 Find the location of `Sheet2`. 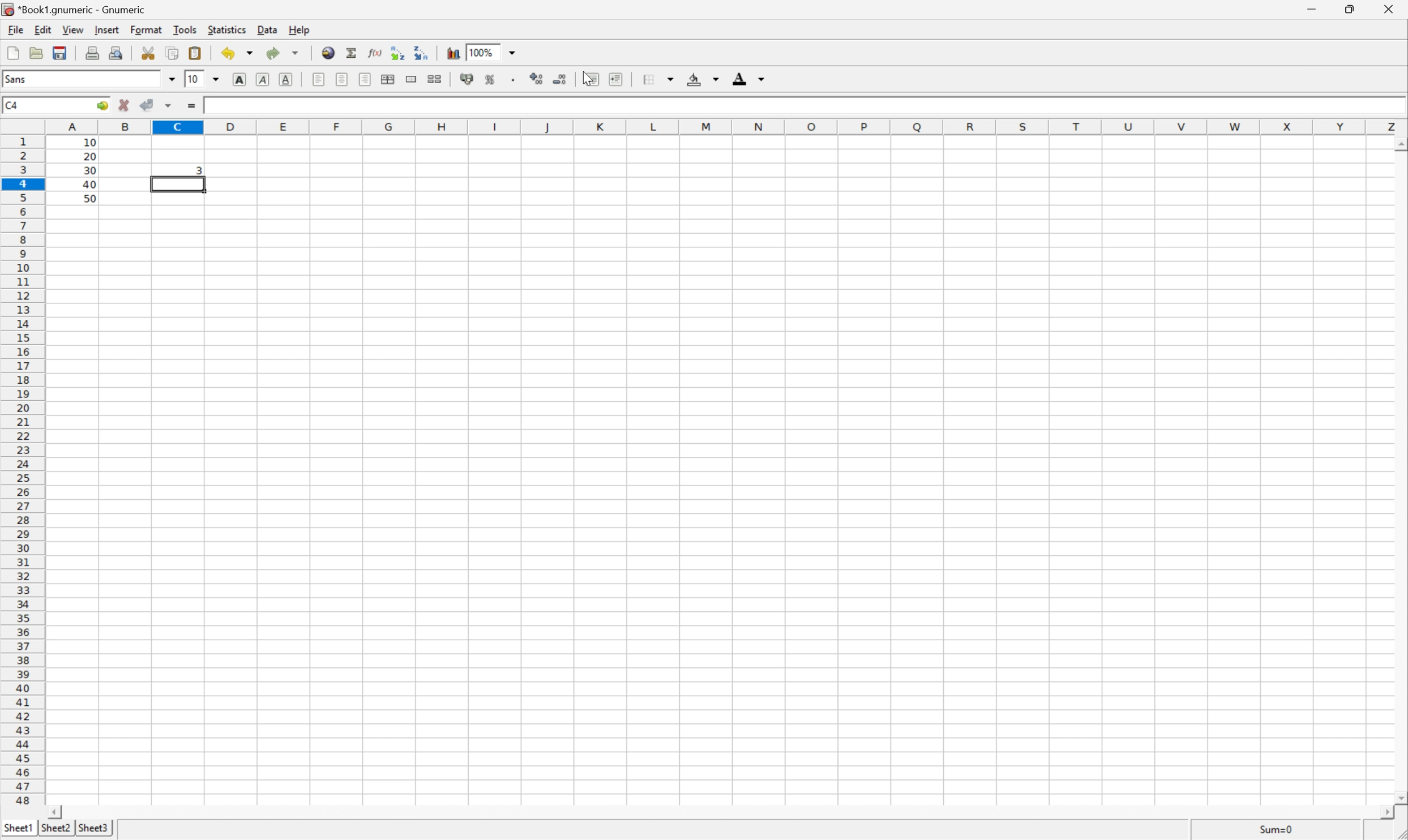

Sheet2 is located at coordinates (55, 829).